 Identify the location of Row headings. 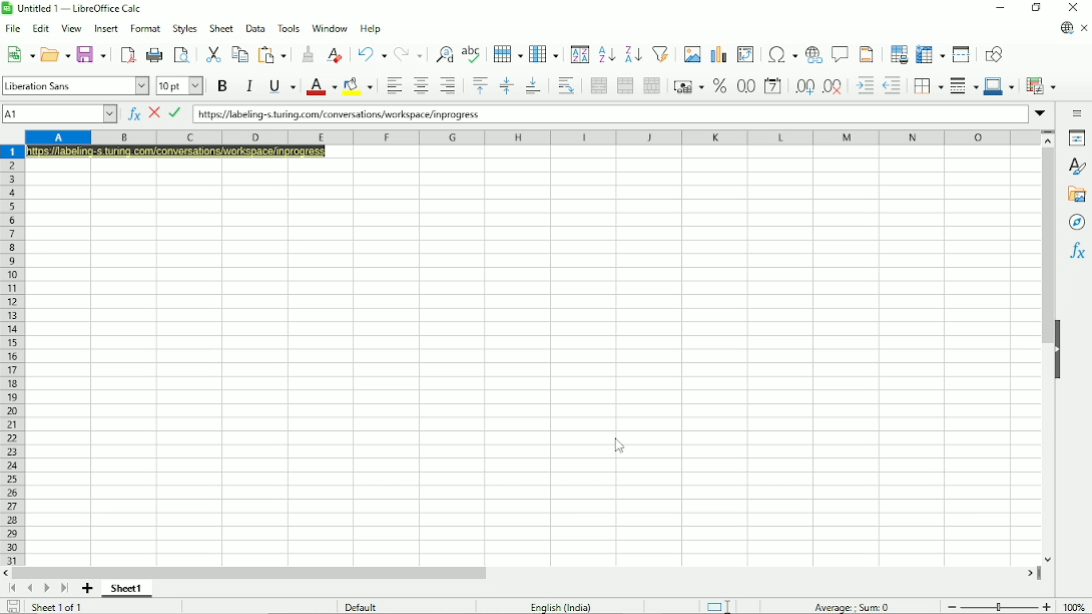
(12, 355).